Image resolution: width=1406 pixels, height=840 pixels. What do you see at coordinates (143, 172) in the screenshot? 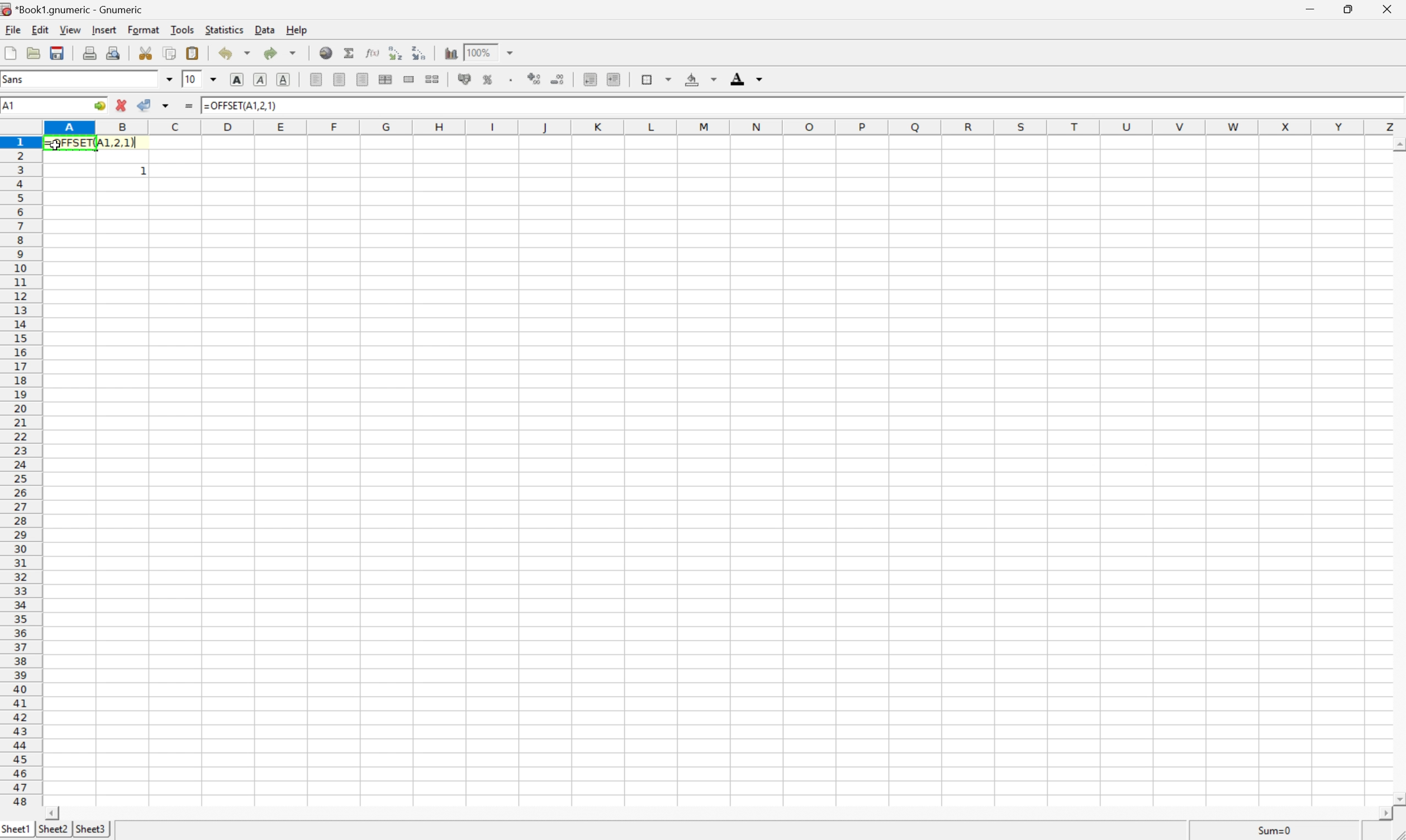
I see `1` at bounding box center [143, 172].